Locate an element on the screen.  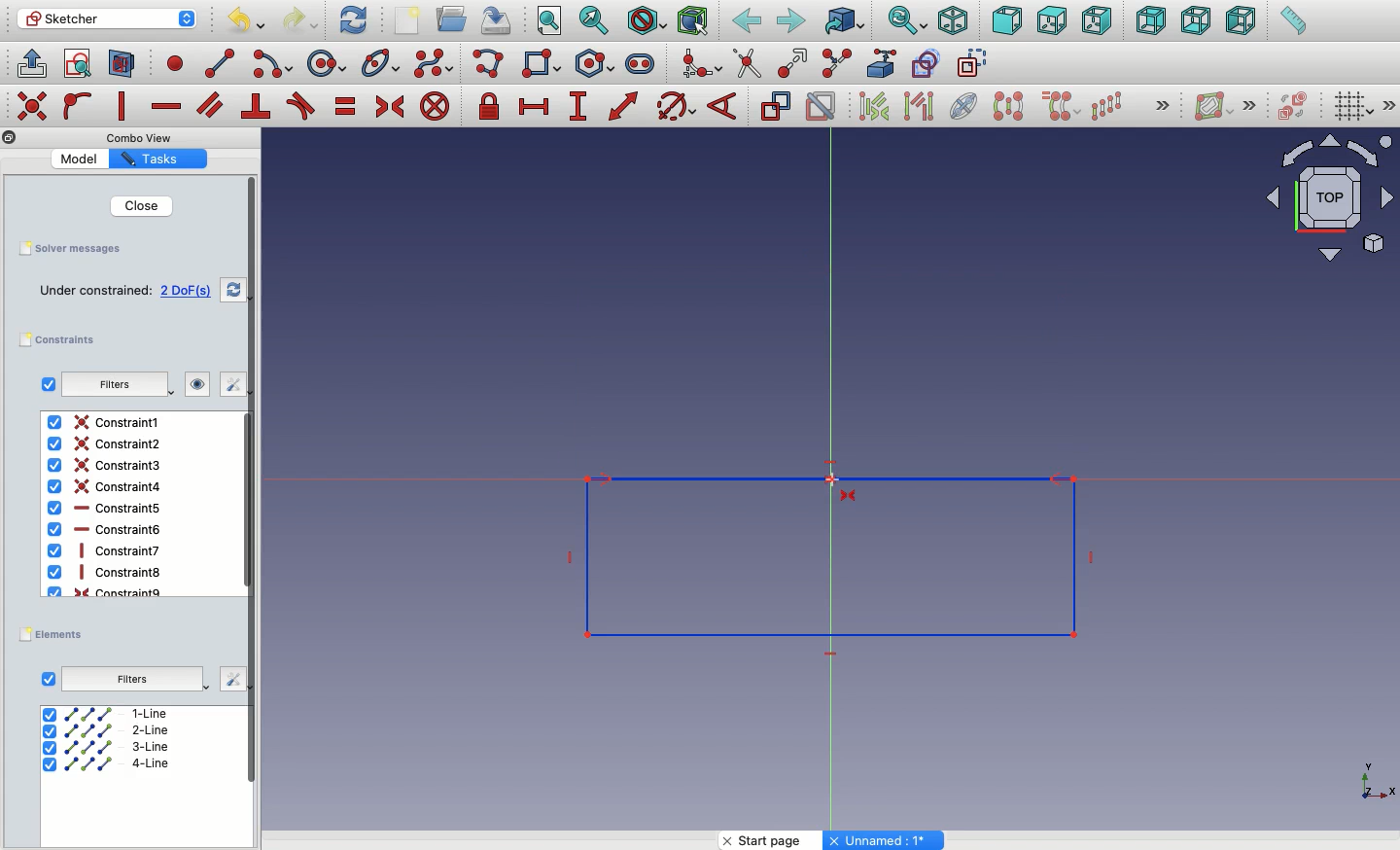
Extend edge  is located at coordinates (795, 64).